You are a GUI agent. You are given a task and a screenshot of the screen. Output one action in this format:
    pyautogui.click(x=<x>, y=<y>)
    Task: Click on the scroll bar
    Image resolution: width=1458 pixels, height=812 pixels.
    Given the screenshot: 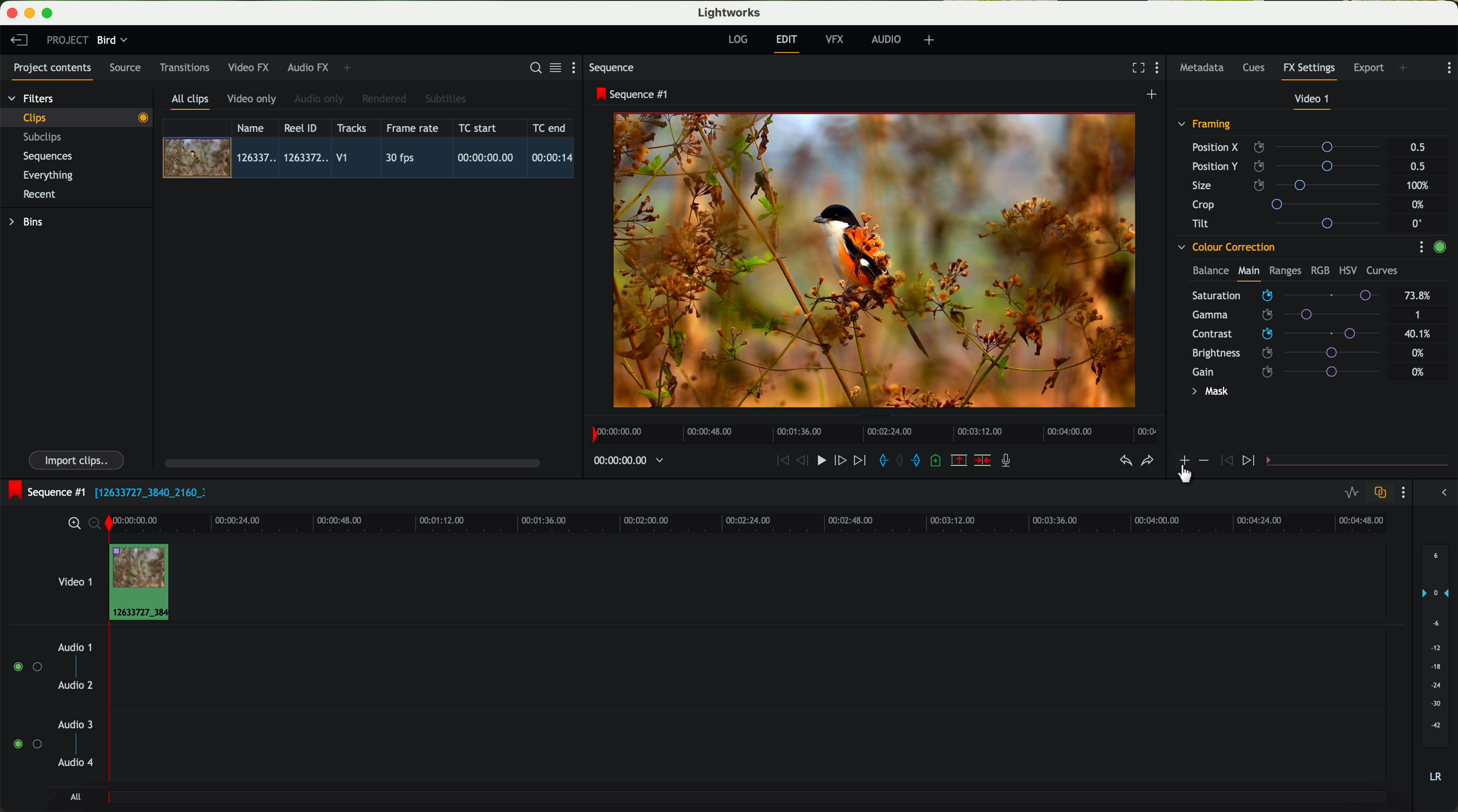 What is the action you would take?
    pyautogui.click(x=351, y=462)
    